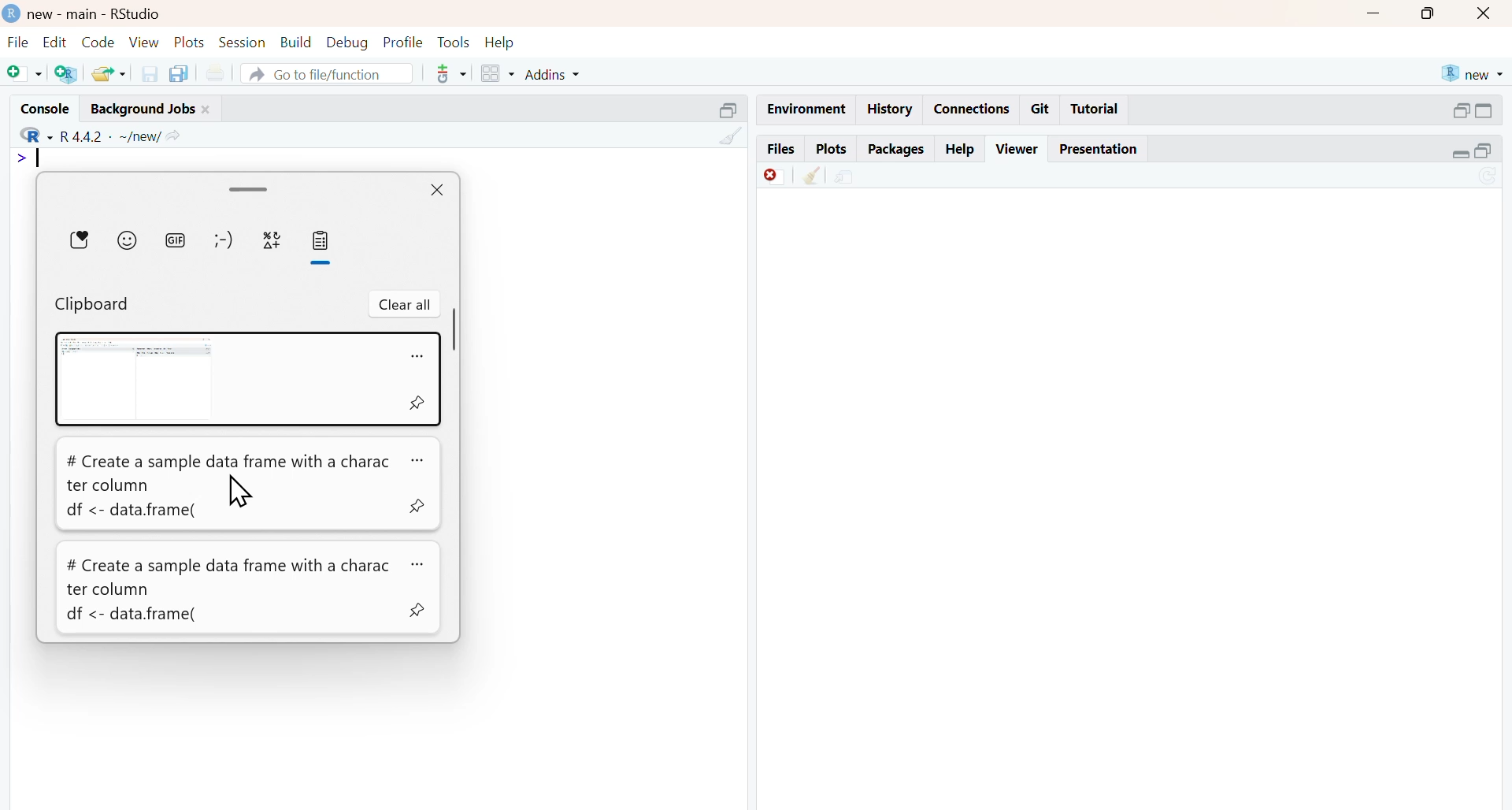  Describe the element at coordinates (17, 42) in the screenshot. I see `file` at that location.